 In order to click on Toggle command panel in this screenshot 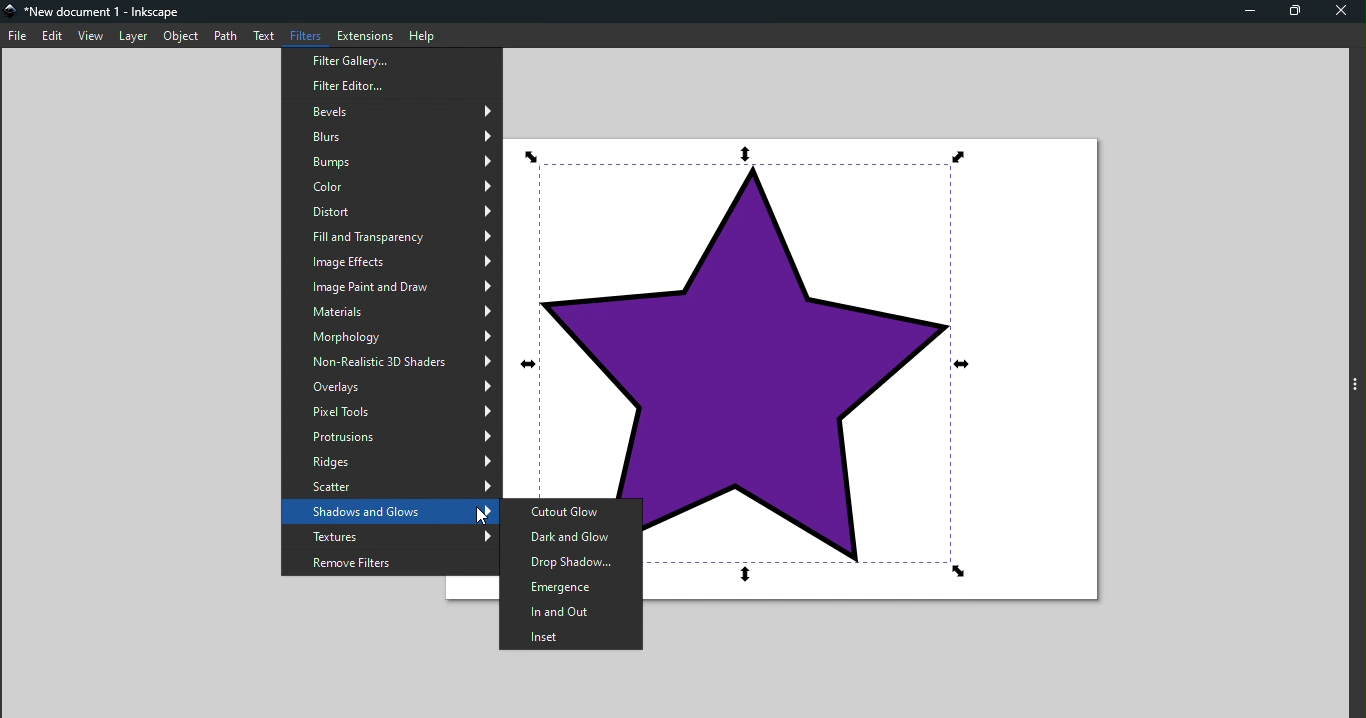, I will do `click(1358, 386)`.